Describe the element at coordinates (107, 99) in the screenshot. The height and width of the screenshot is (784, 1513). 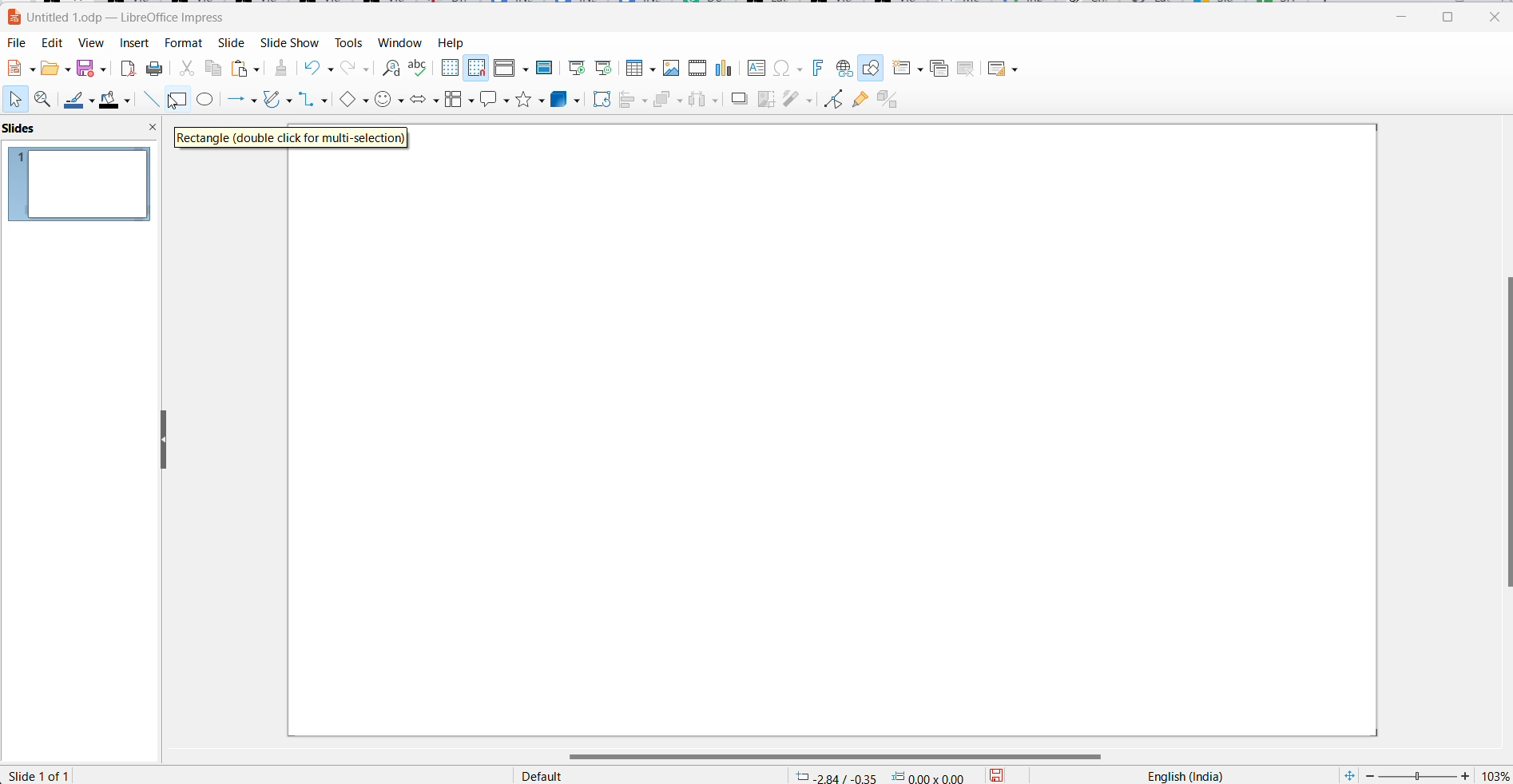
I see `fill color` at that location.